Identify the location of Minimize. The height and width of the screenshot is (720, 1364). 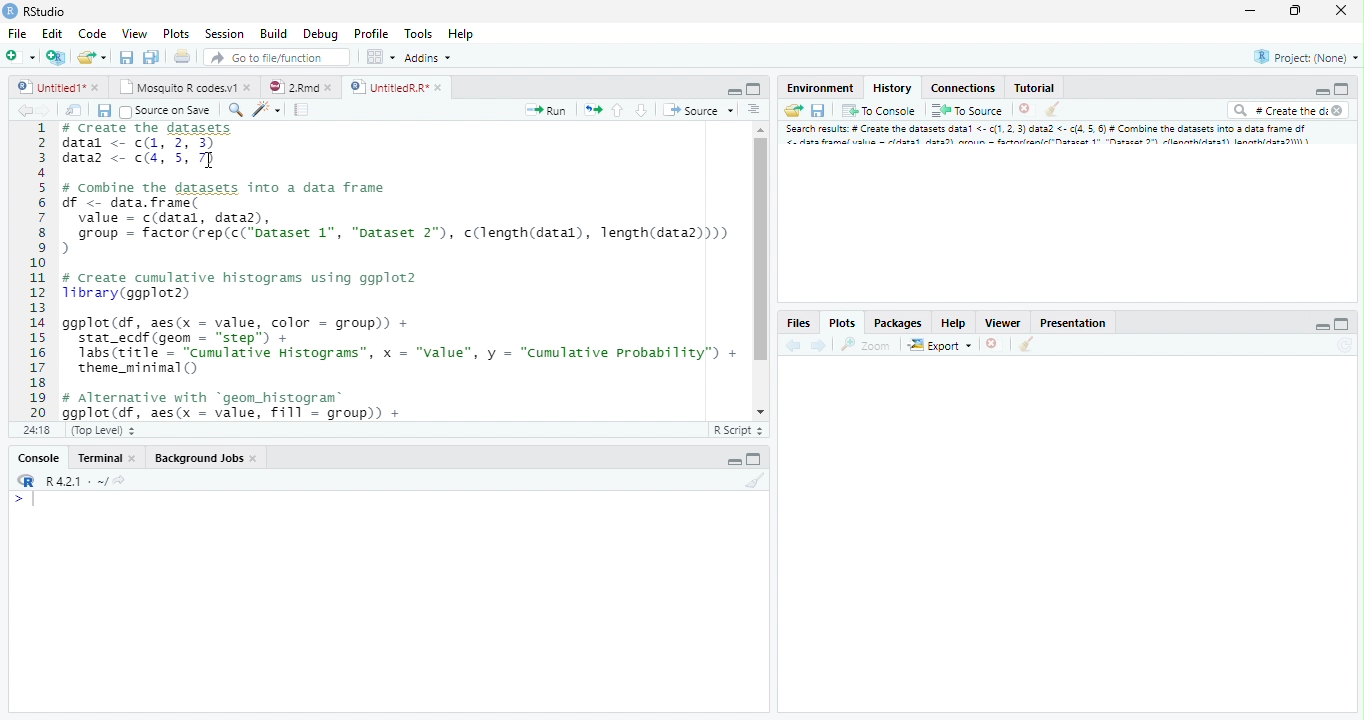
(1321, 92).